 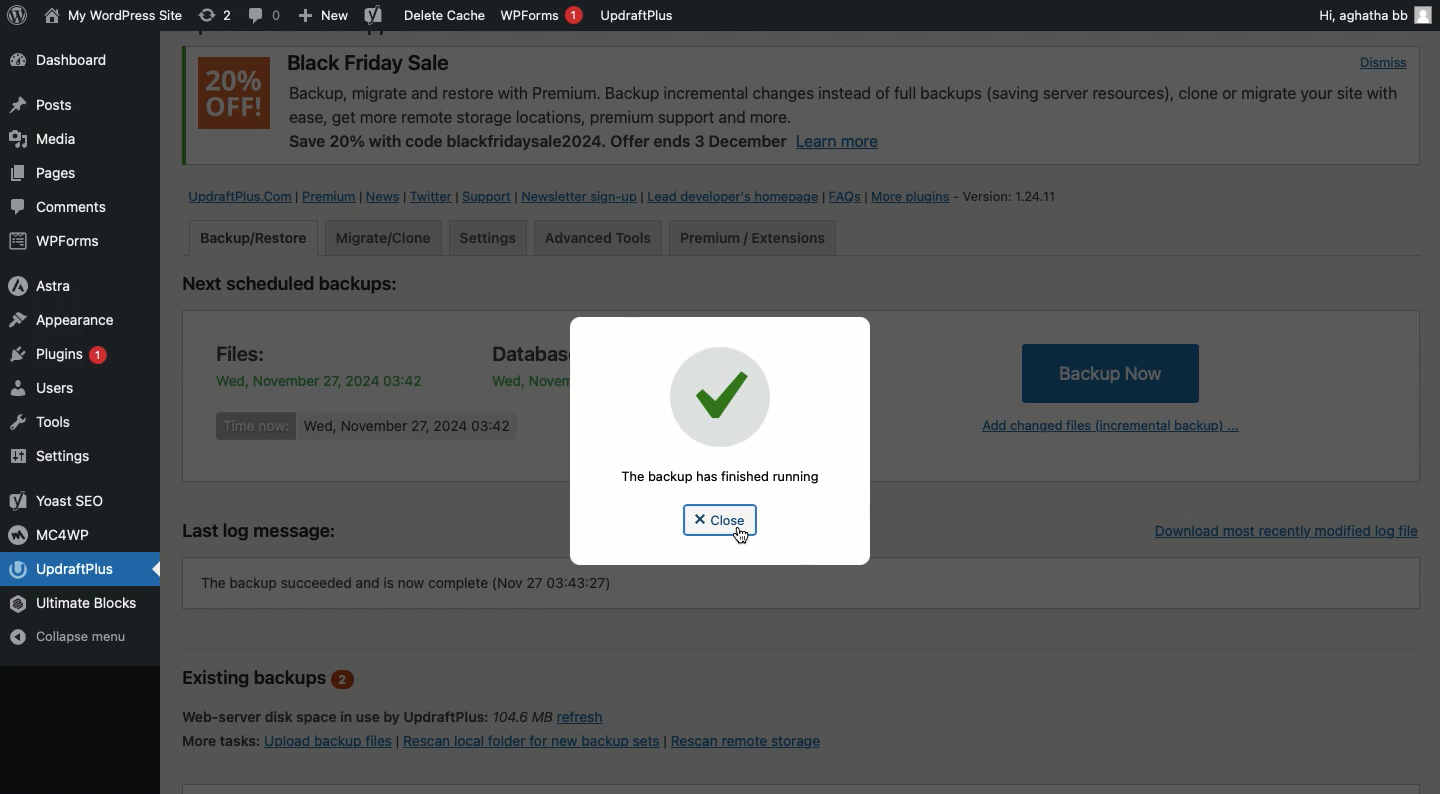 I want to click on Backup/Restore, so click(x=255, y=238).